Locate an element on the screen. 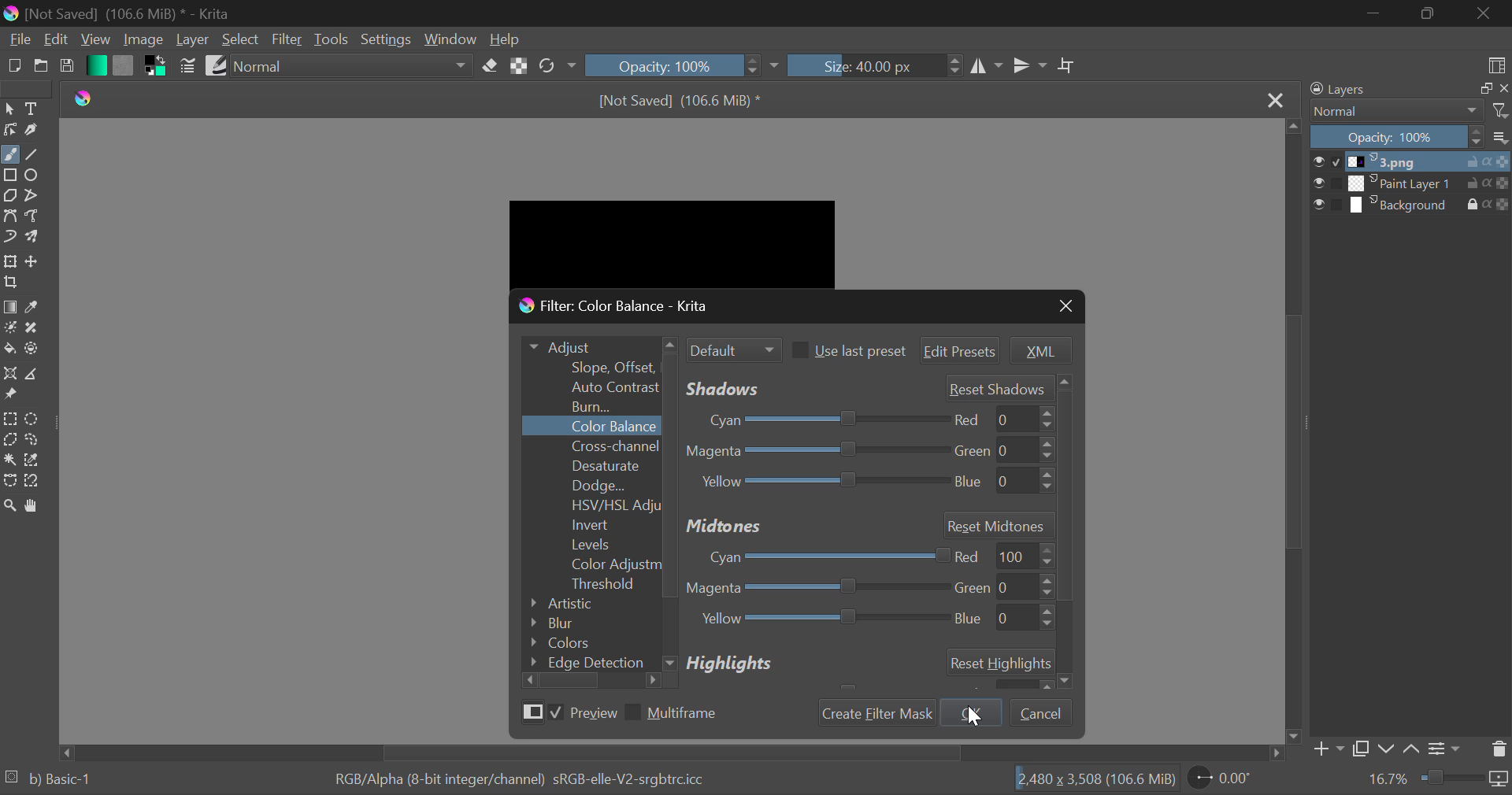 Image resolution: width=1512 pixels, height=795 pixels. 16.7% is located at coordinates (1379, 780).